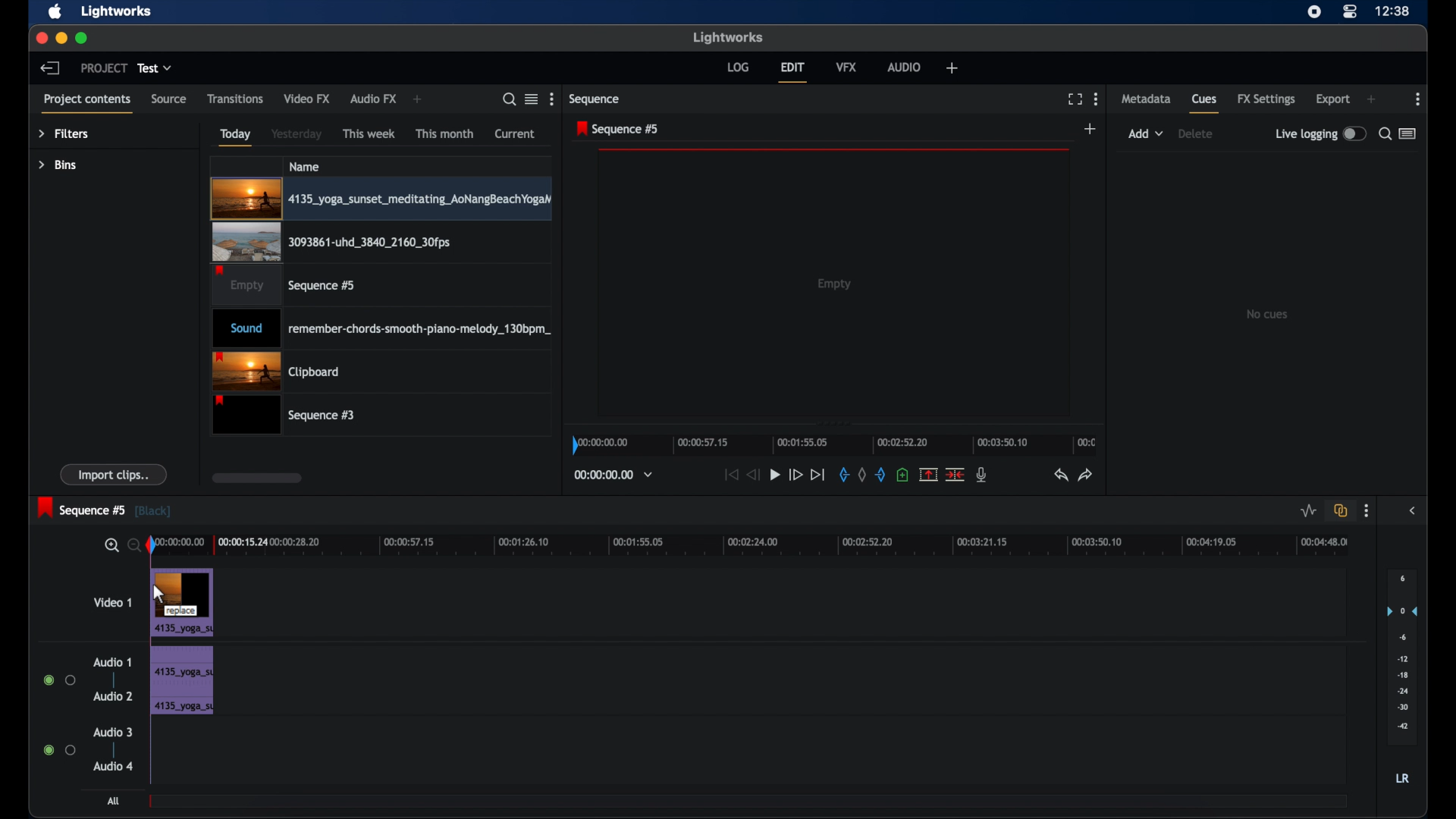 The height and width of the screenshot is (819, 1456). Describe the element at coordinates (1206, 103) in the screenshot. I see `cues` at that location.